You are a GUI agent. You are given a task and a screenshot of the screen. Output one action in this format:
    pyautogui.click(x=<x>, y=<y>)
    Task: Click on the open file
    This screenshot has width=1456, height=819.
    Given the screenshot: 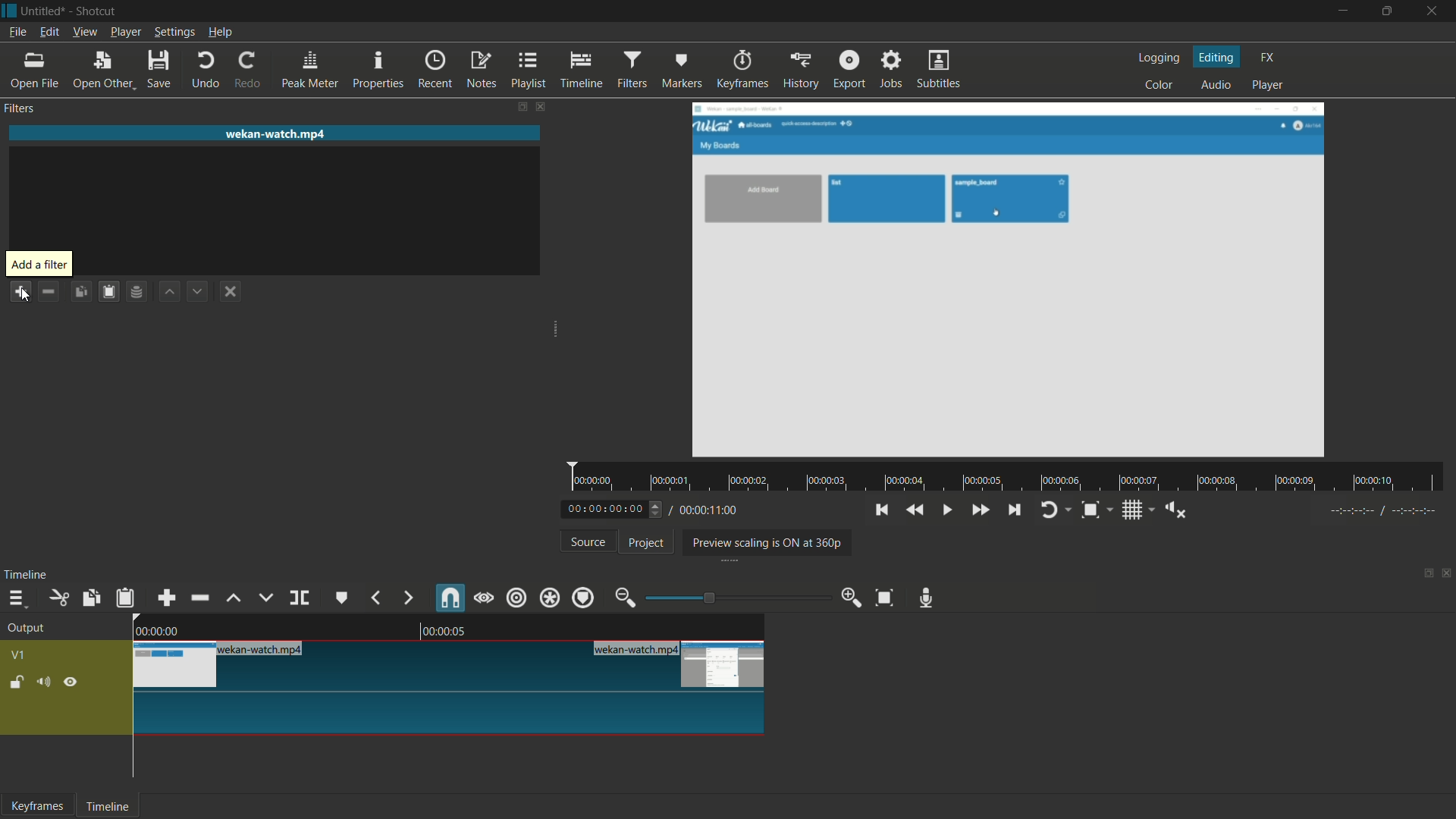 What is the action you would take?
    pyautogui.click(x=30, y=71)
    